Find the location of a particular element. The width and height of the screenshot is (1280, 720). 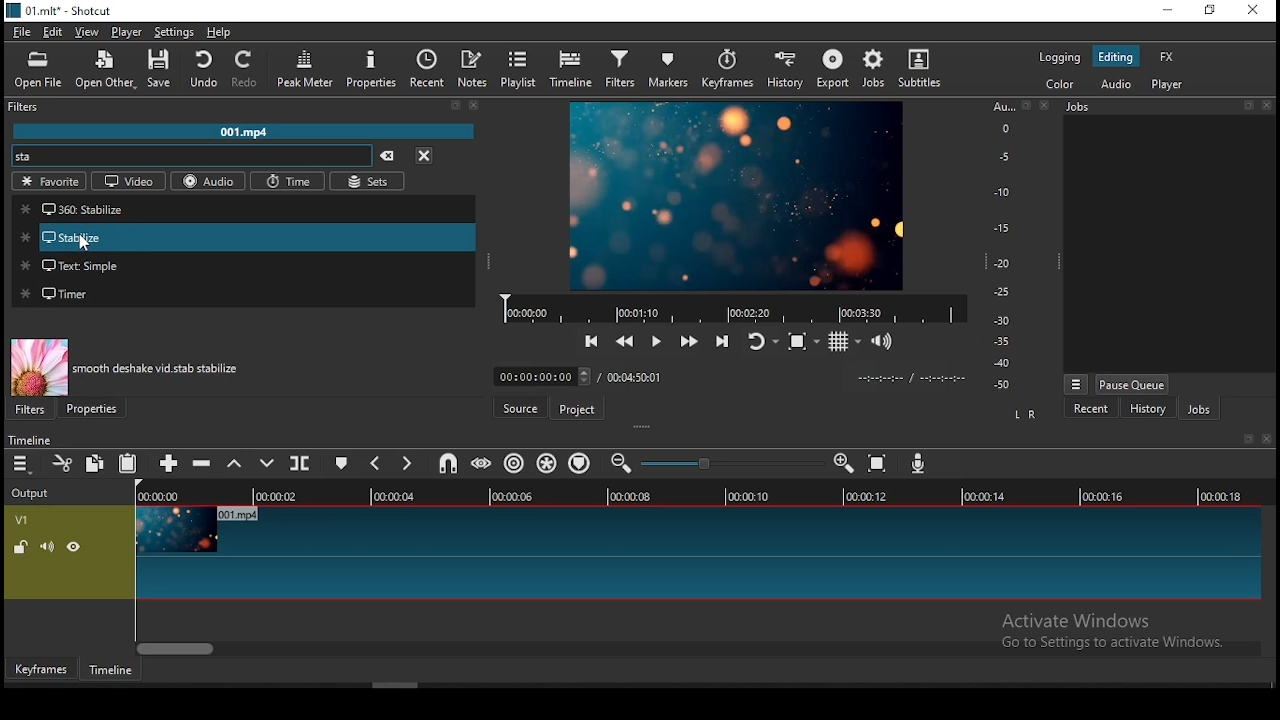

360: stabilize is located at coordinates (246, 209).